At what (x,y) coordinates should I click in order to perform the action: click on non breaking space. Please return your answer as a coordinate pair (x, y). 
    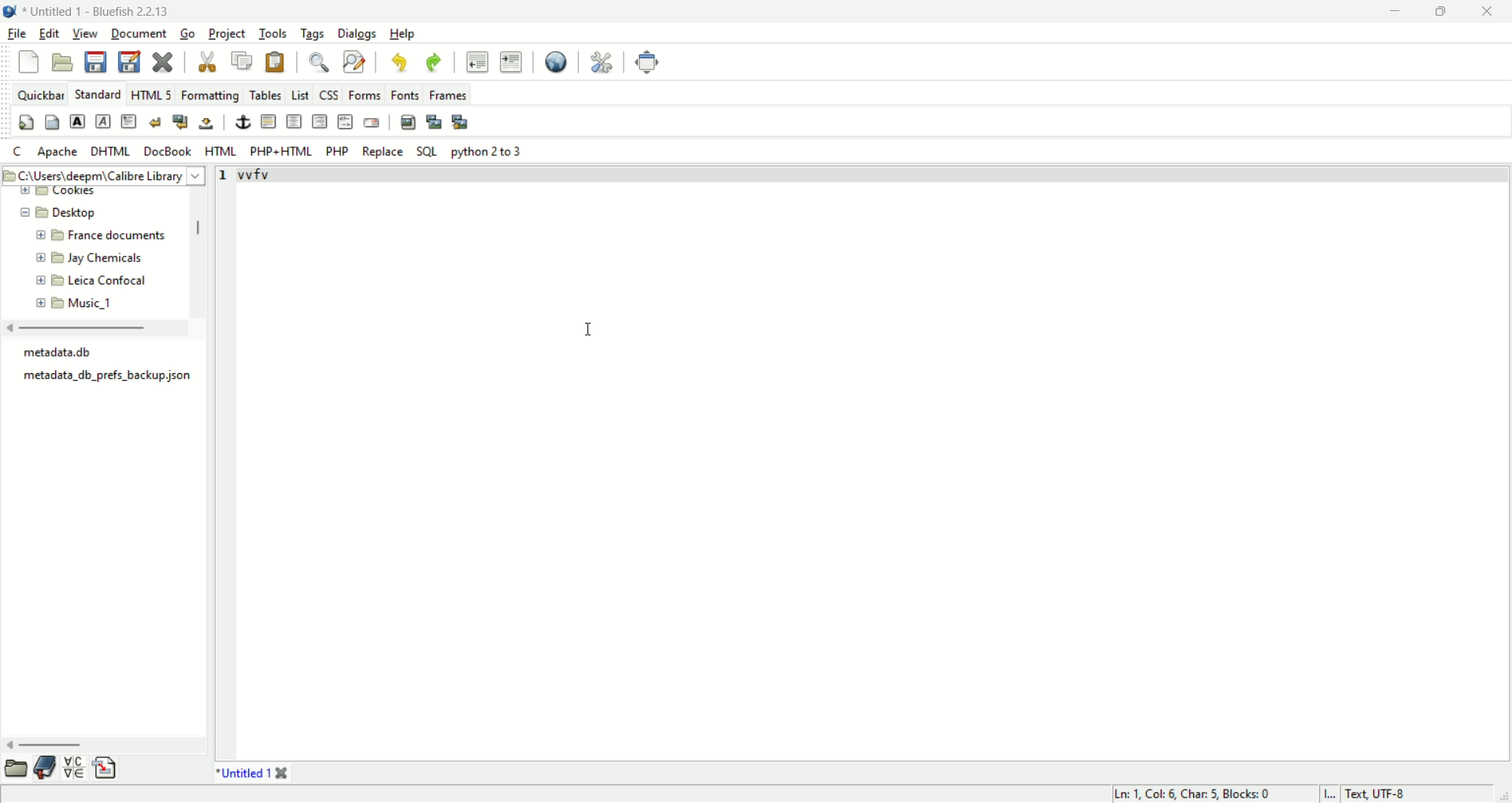
    Looking at the image, I should click on (208, 124).